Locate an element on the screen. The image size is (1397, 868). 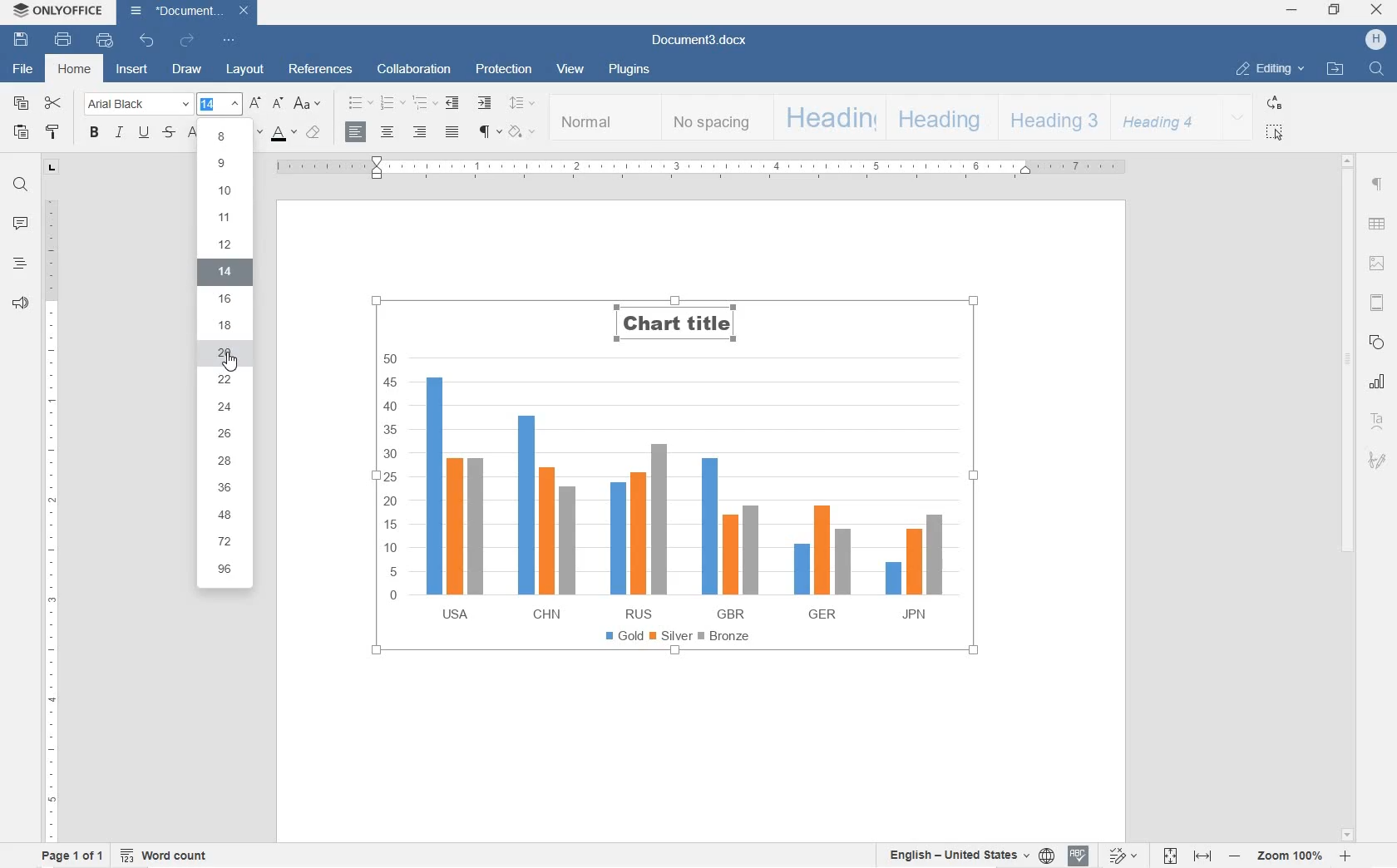
TEXT ART is located at coordinates (1376, 419).